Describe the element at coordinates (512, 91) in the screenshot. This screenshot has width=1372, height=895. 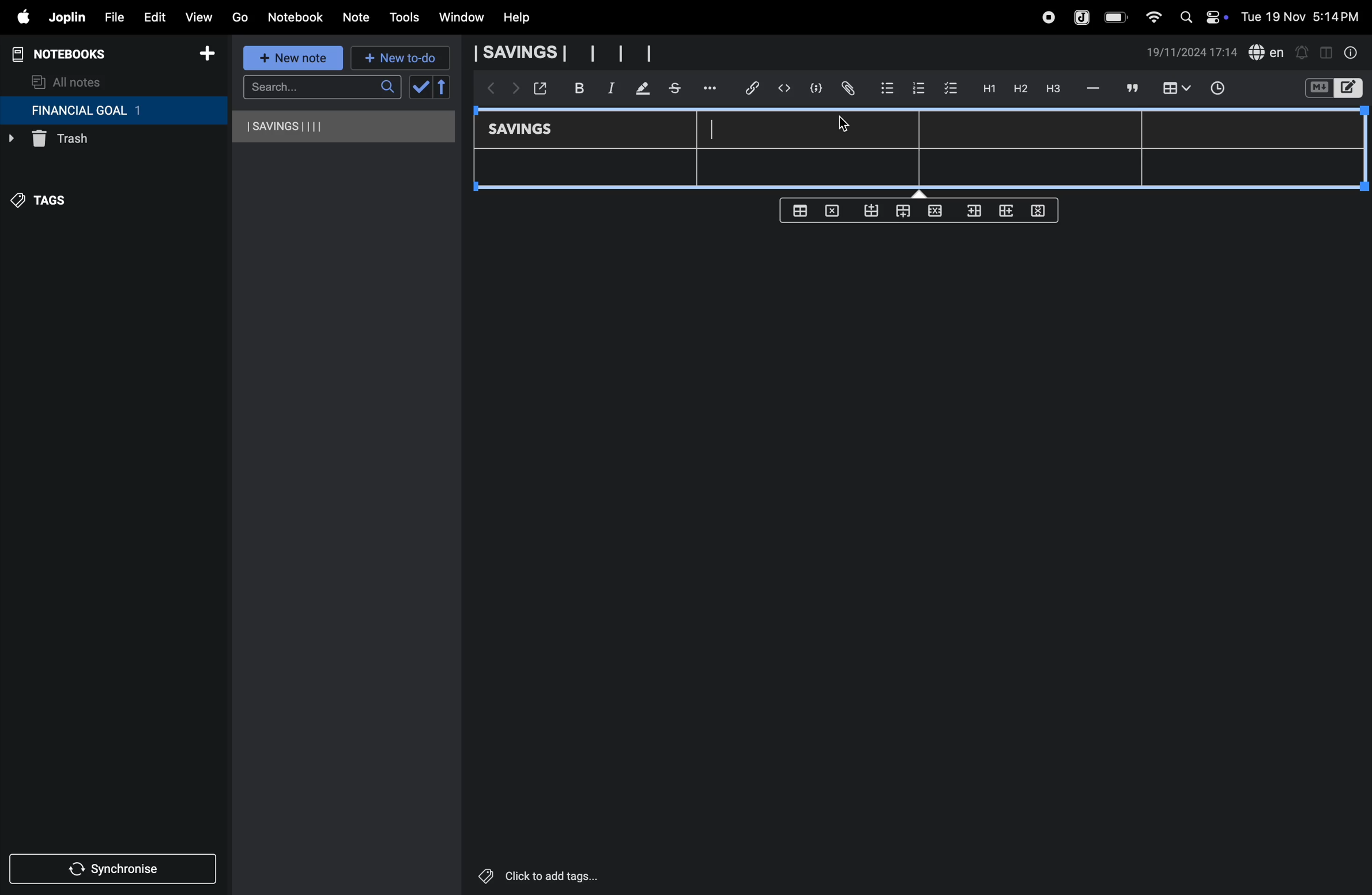
I see `forward` at that location.